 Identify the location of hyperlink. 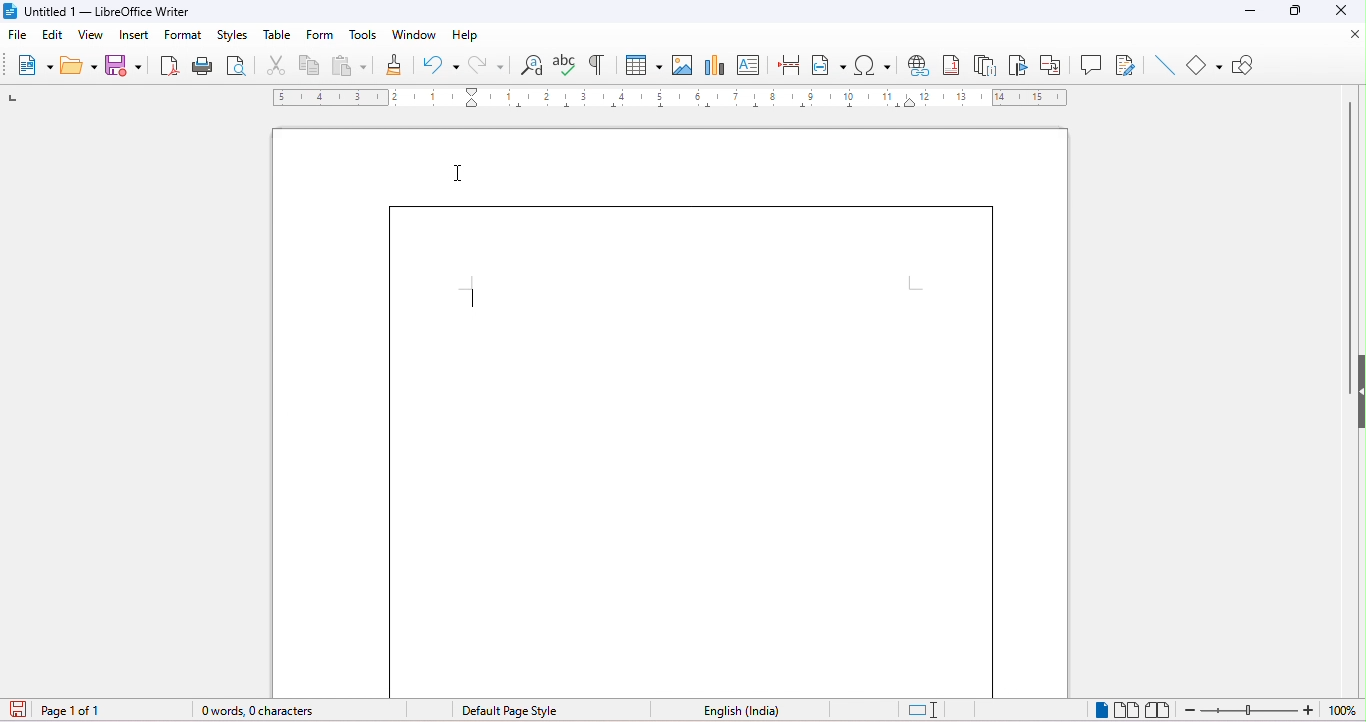
(921, 68).